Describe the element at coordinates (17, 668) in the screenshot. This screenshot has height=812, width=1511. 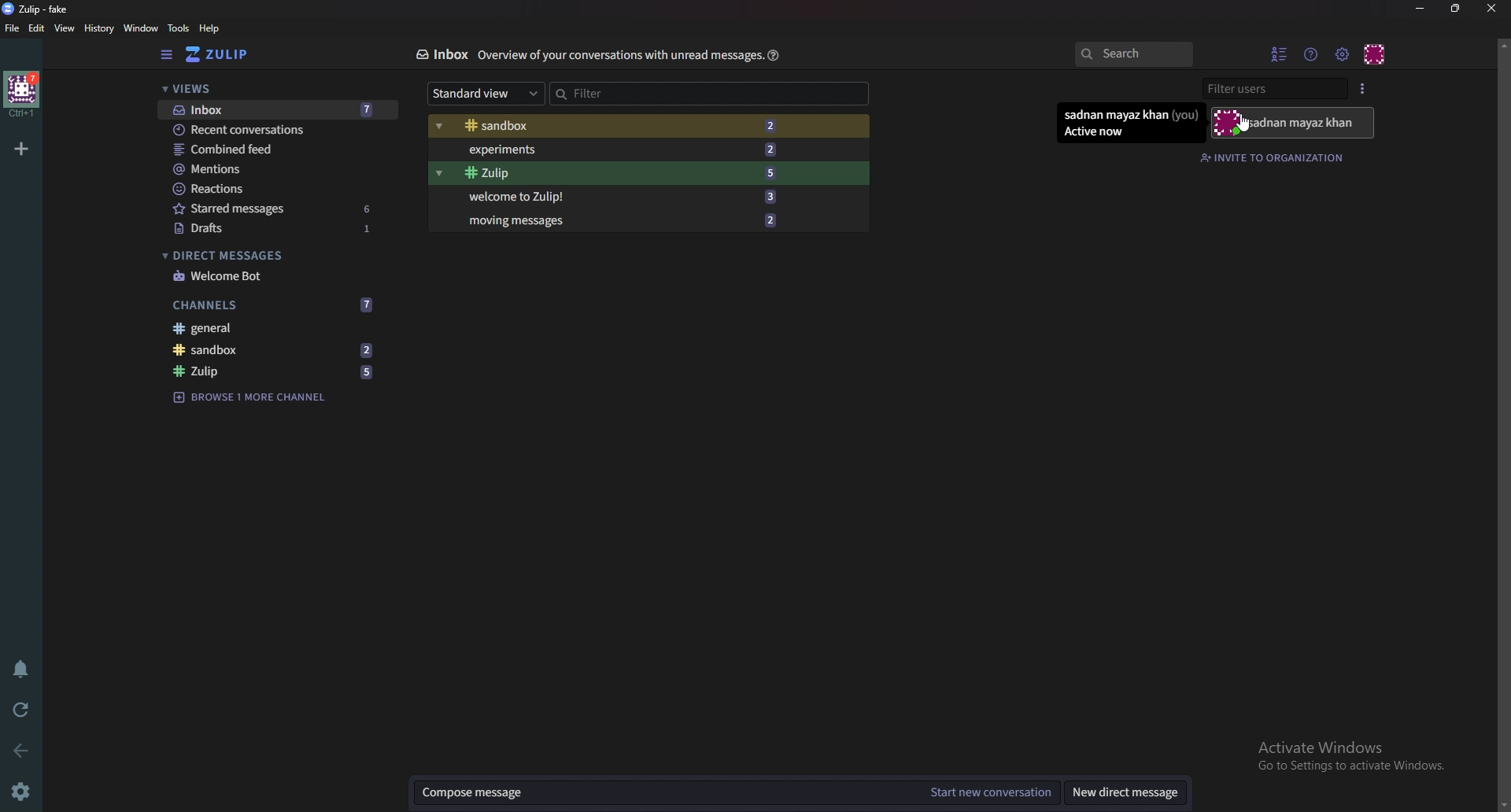
I see `Enable do not disturb` at that location.